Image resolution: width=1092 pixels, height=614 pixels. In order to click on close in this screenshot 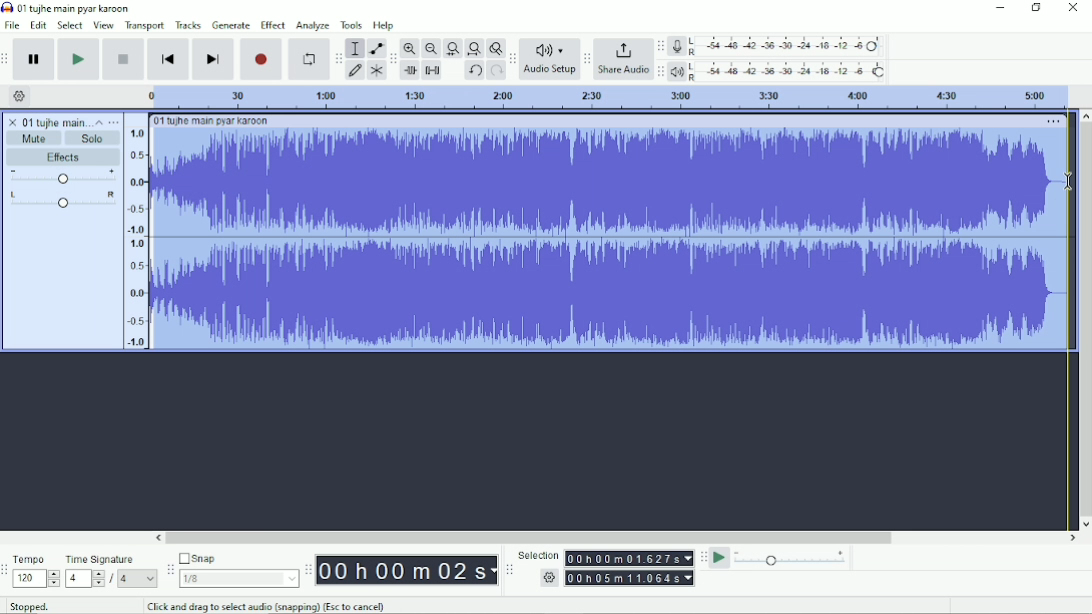, I will do `click(13, 119)`.